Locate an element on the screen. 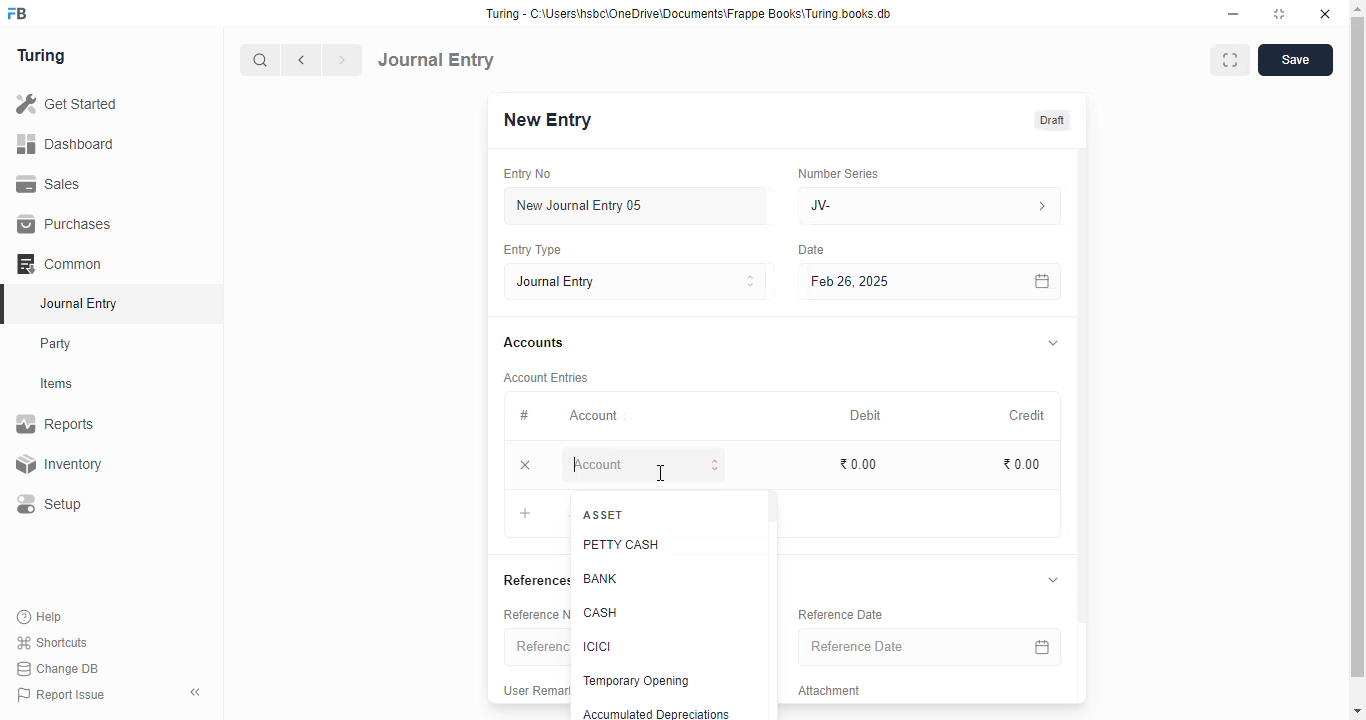 Image resolution: width=1366 pixels, height=720 pixels. help is located at coordinates (41, 616).